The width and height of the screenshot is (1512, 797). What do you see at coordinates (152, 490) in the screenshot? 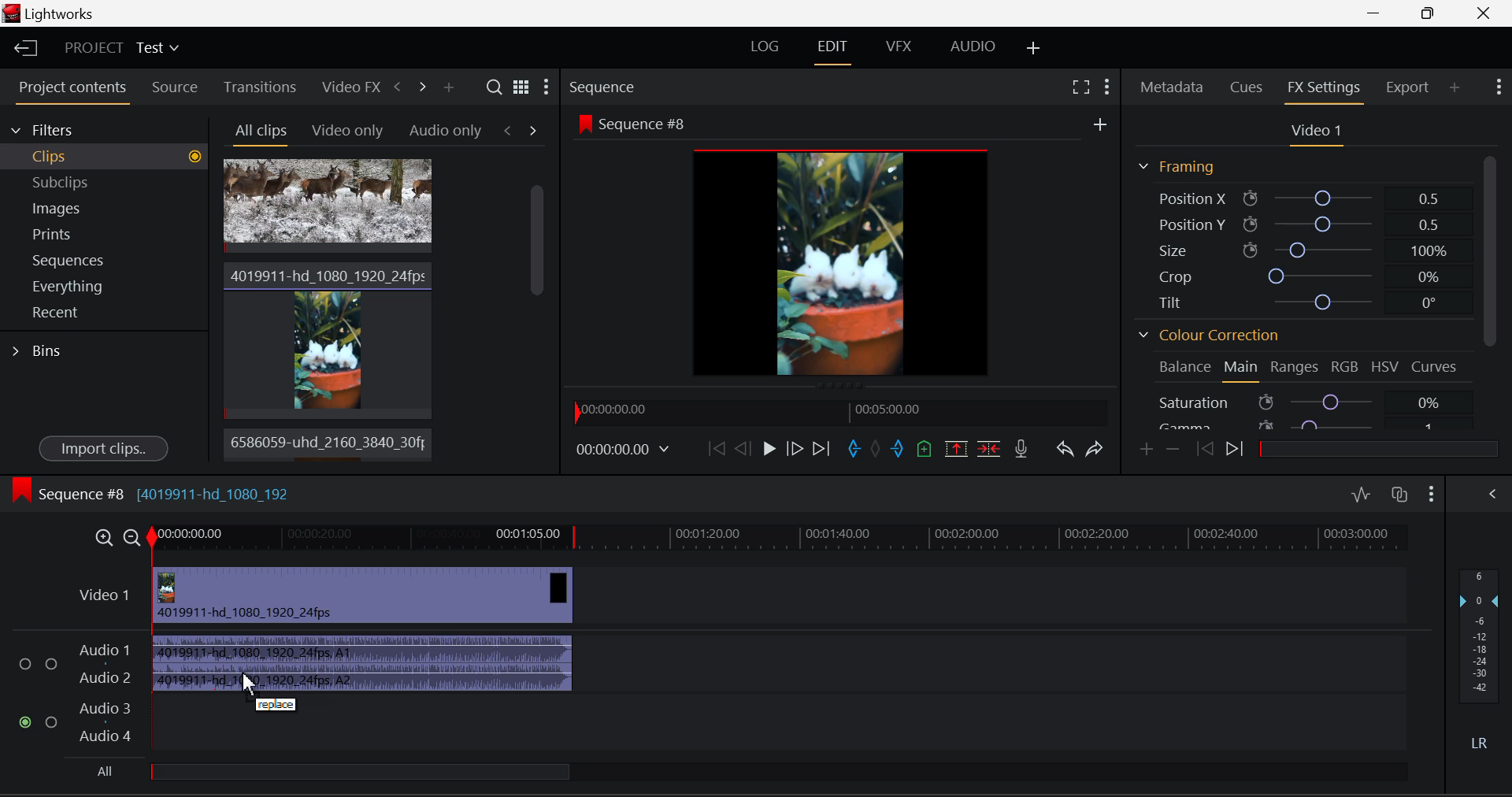
I see `Sequence #8 [4019911-hd_1080_192` at bounding box center [152, 490].